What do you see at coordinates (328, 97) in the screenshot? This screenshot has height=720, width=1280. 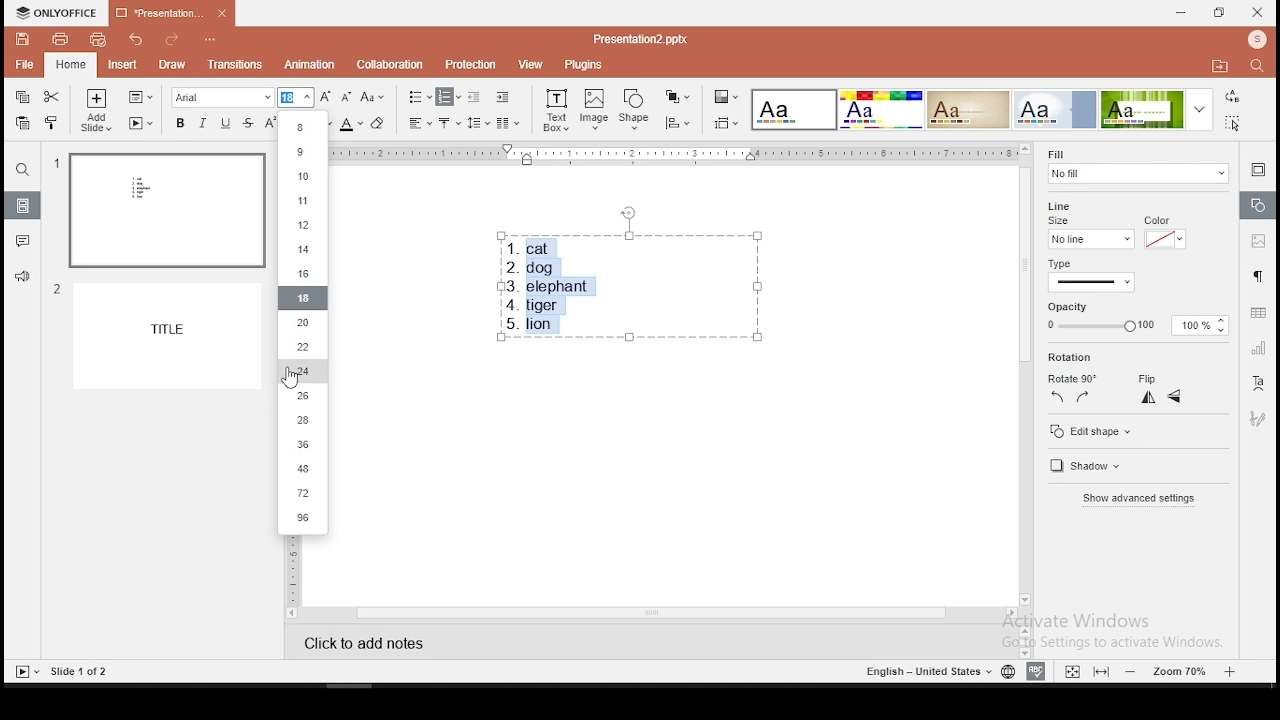 I see `increase font size` at bounding box center [328, 97].